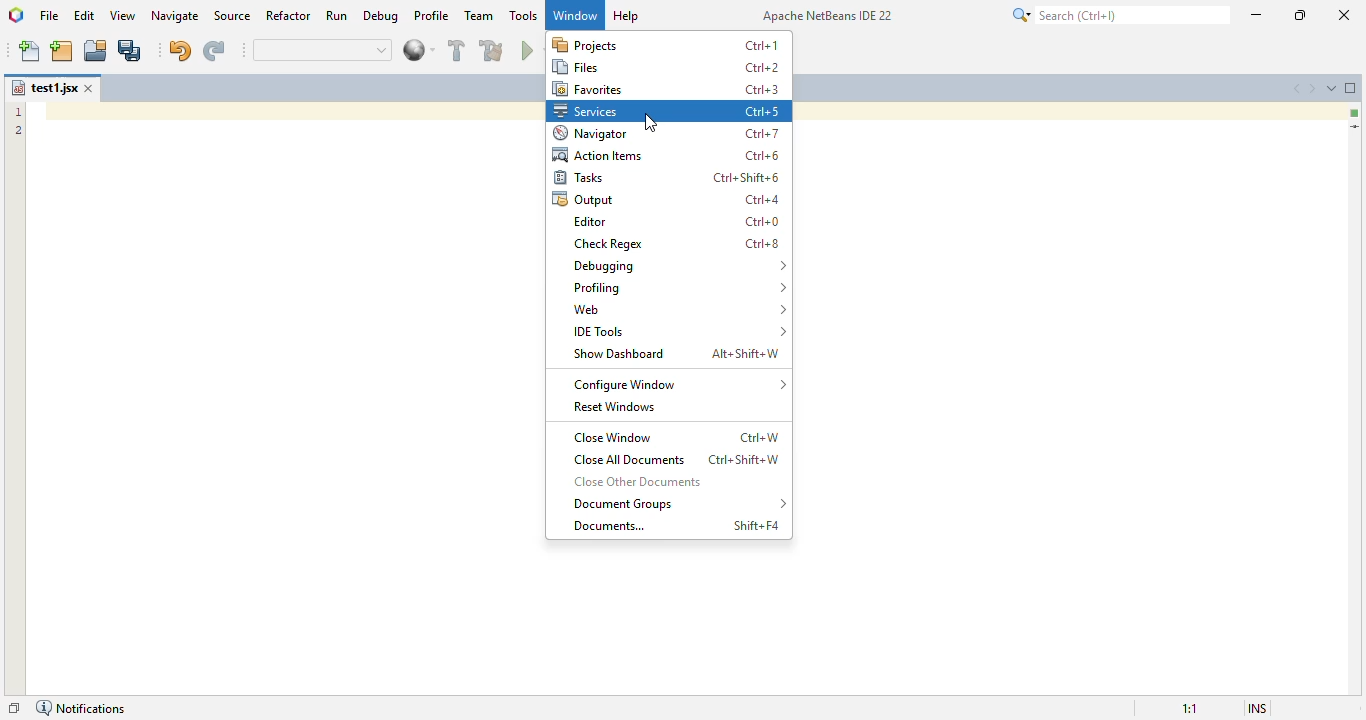  What do you see at coordinates (17, 111) in the screenshot?
I see `1` at bounding box center [17, 111].